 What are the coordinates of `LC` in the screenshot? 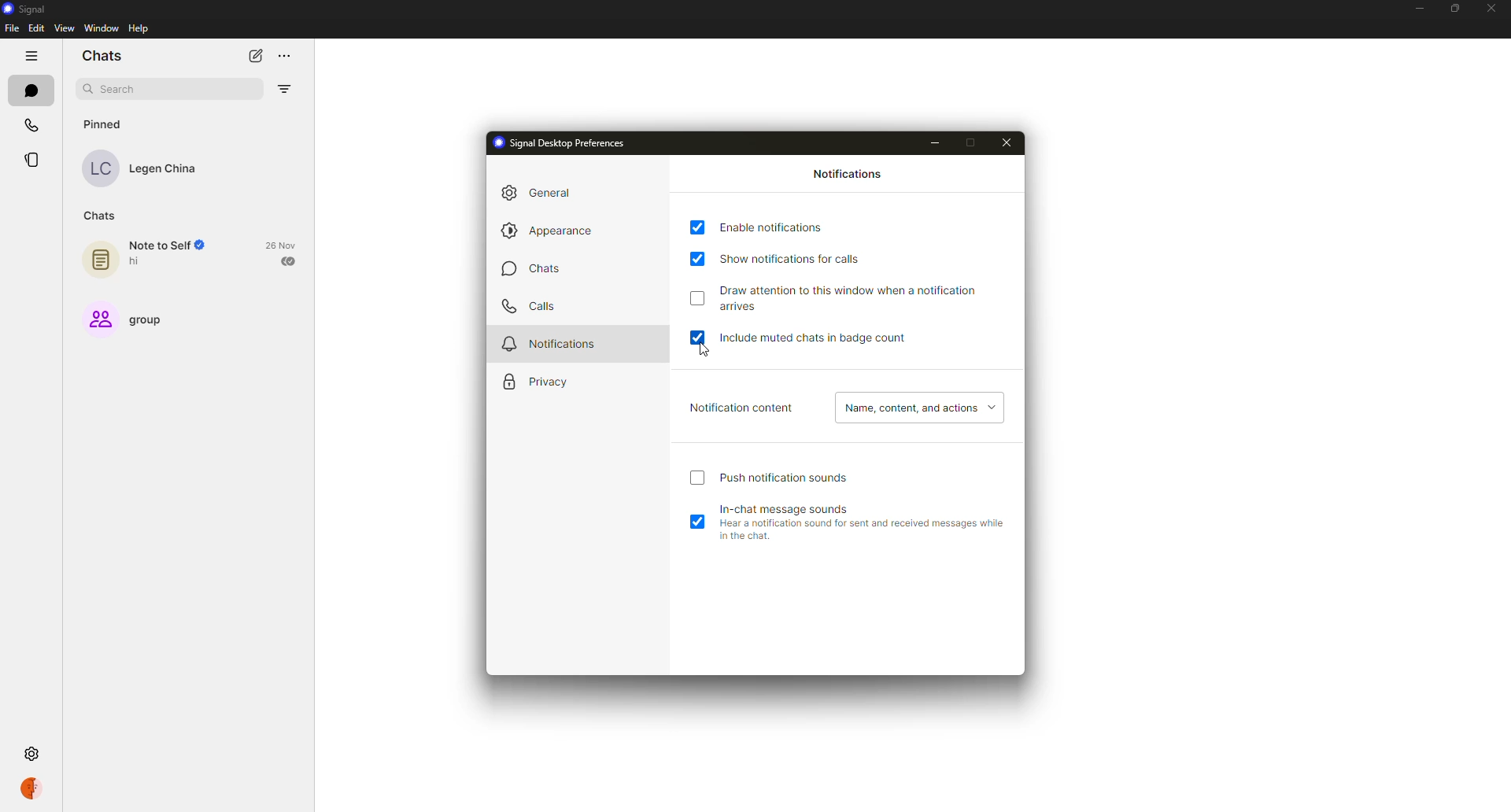 It's located at (99, 168).